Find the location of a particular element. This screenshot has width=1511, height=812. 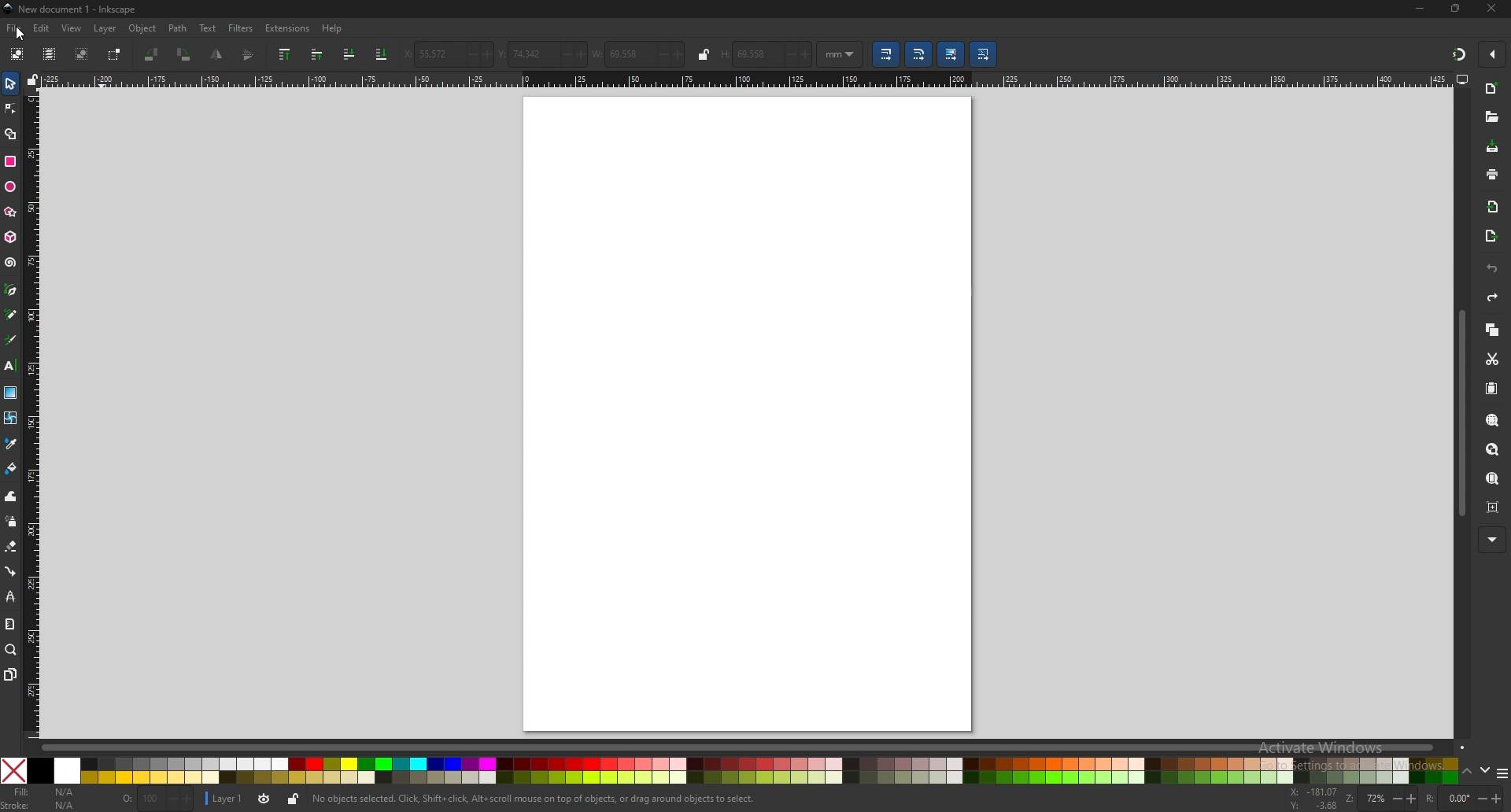

cut is located at coordinates (1492, 360).